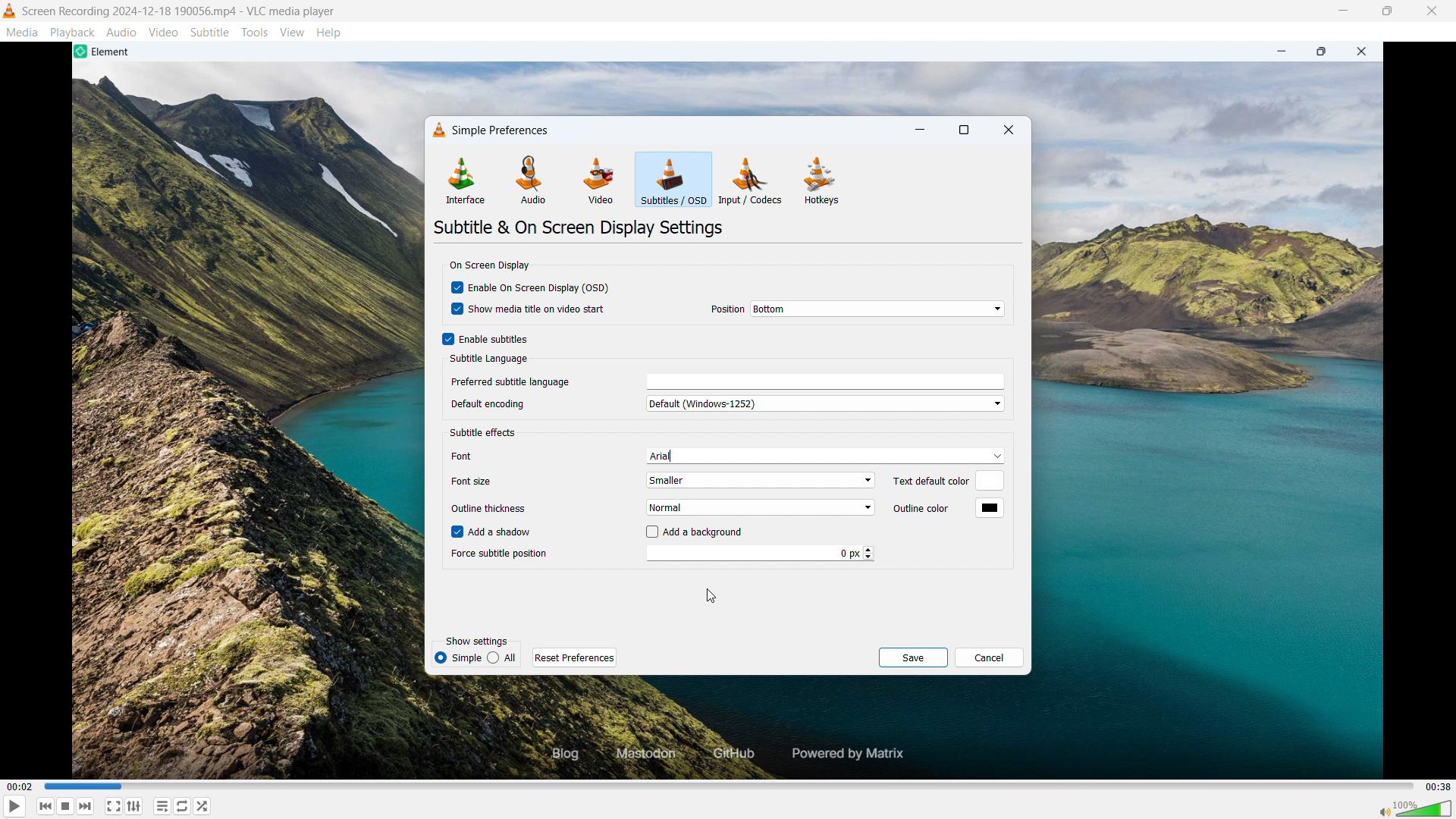  I want to click on enable on screen display, so click(531, 287).